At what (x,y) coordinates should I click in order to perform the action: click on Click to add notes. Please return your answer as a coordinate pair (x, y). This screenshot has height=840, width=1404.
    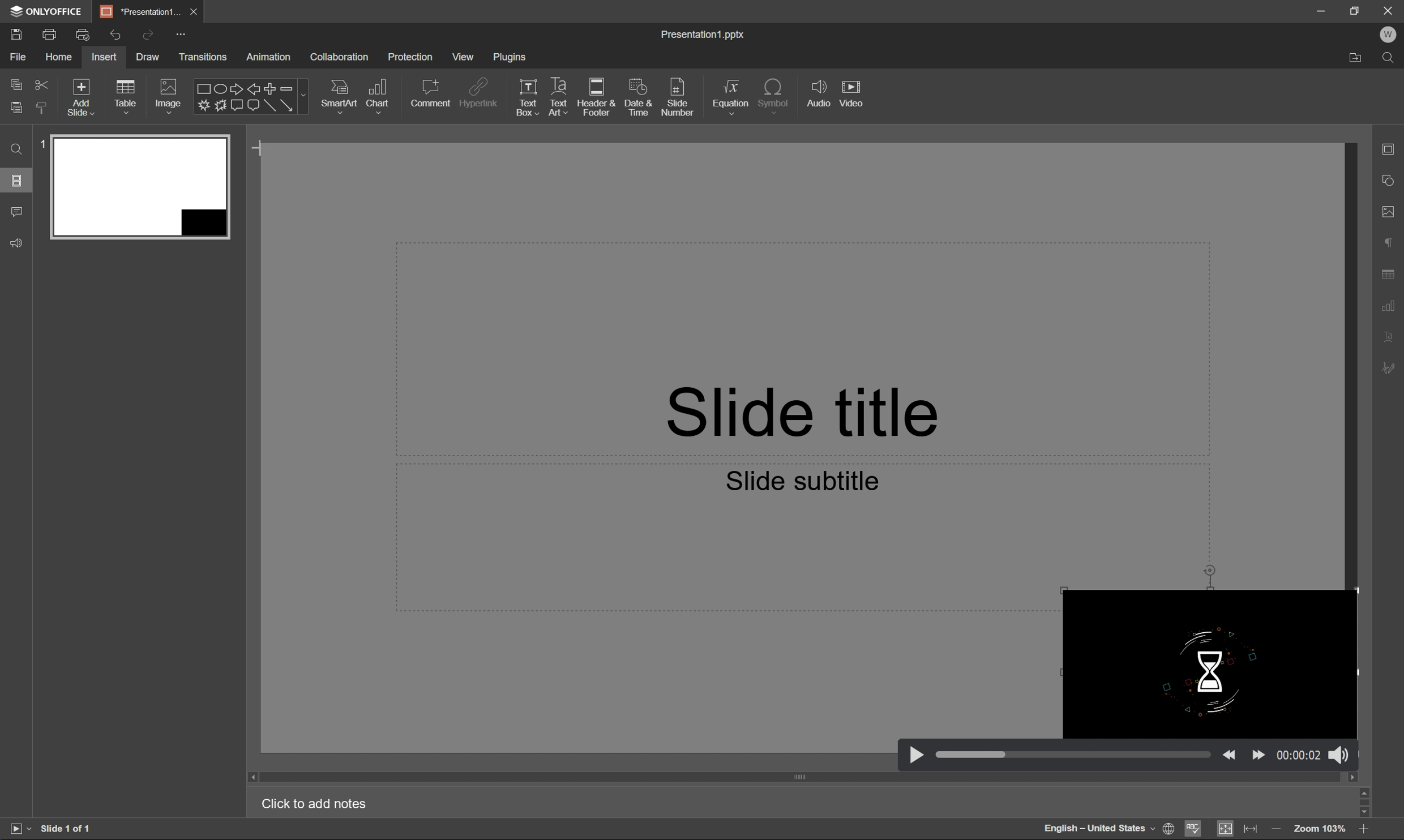
    Looking at the image, I should click on (315, 803).